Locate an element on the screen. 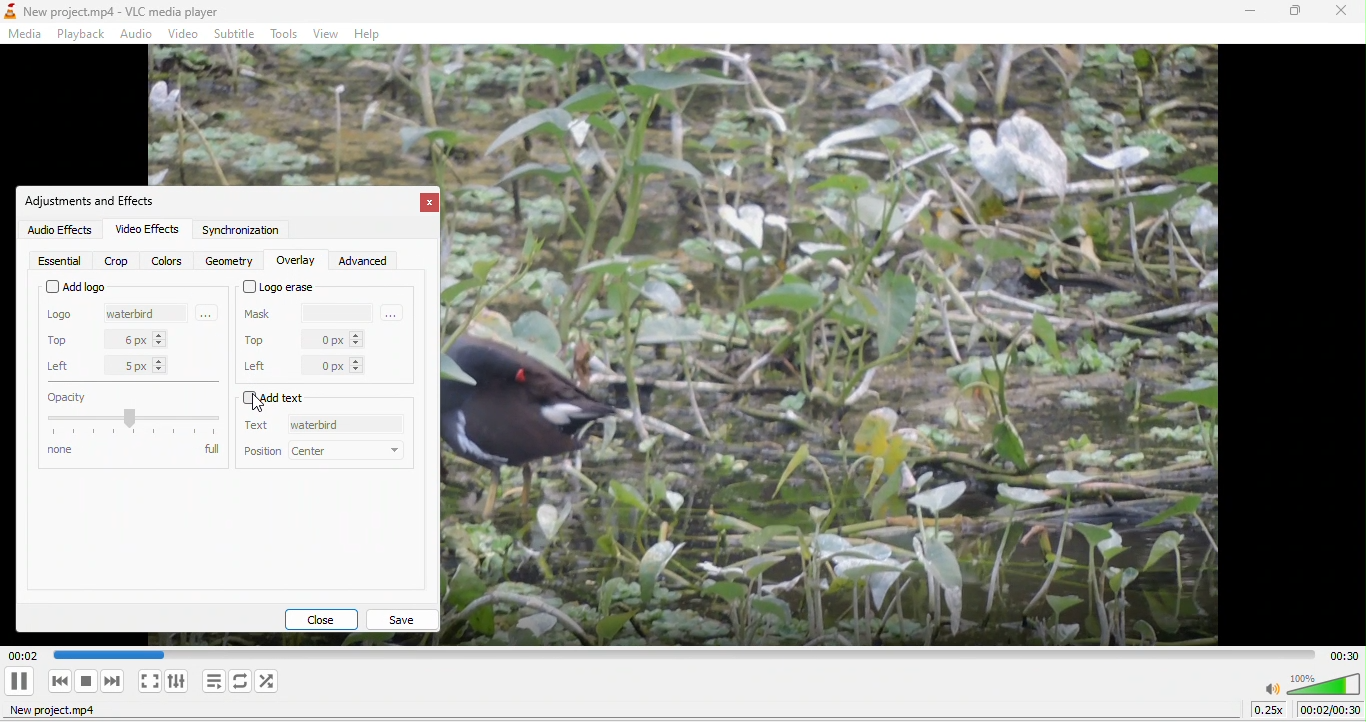 Image resolution: width=1366 pixels, height=722 pixels. adjustments and effect is located at coordinates (97, 201).